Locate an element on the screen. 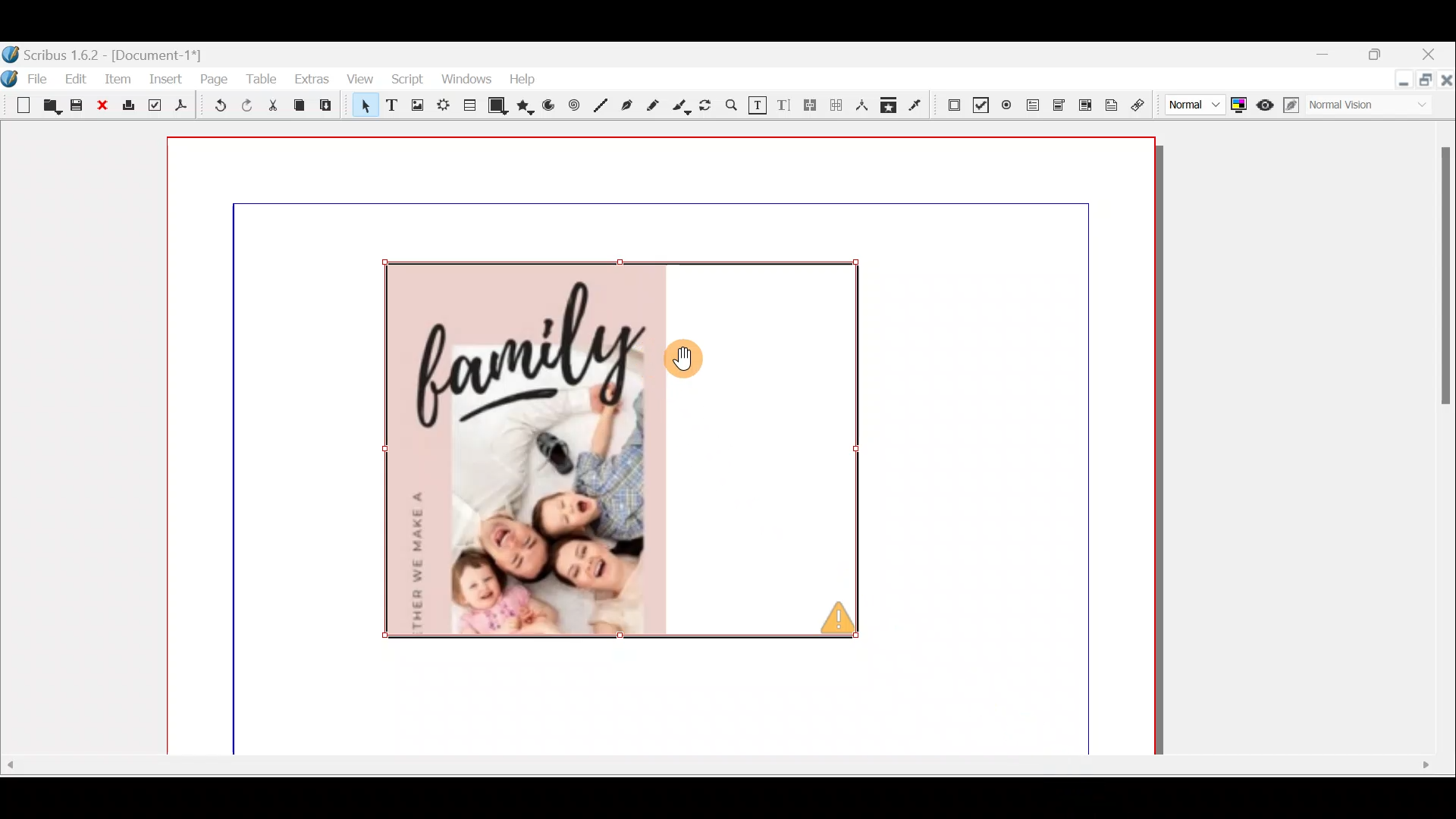  Rotate item is located at coordinates (708, 107).